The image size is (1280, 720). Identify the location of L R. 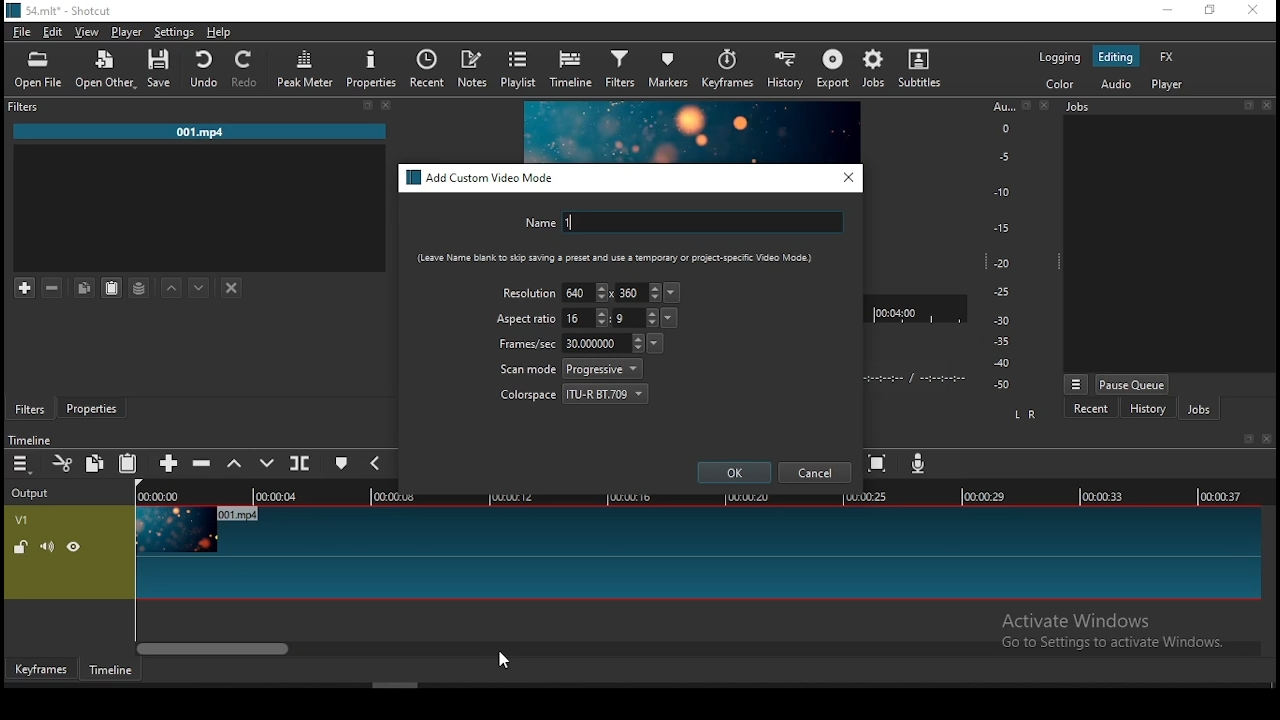
(1027, 415).